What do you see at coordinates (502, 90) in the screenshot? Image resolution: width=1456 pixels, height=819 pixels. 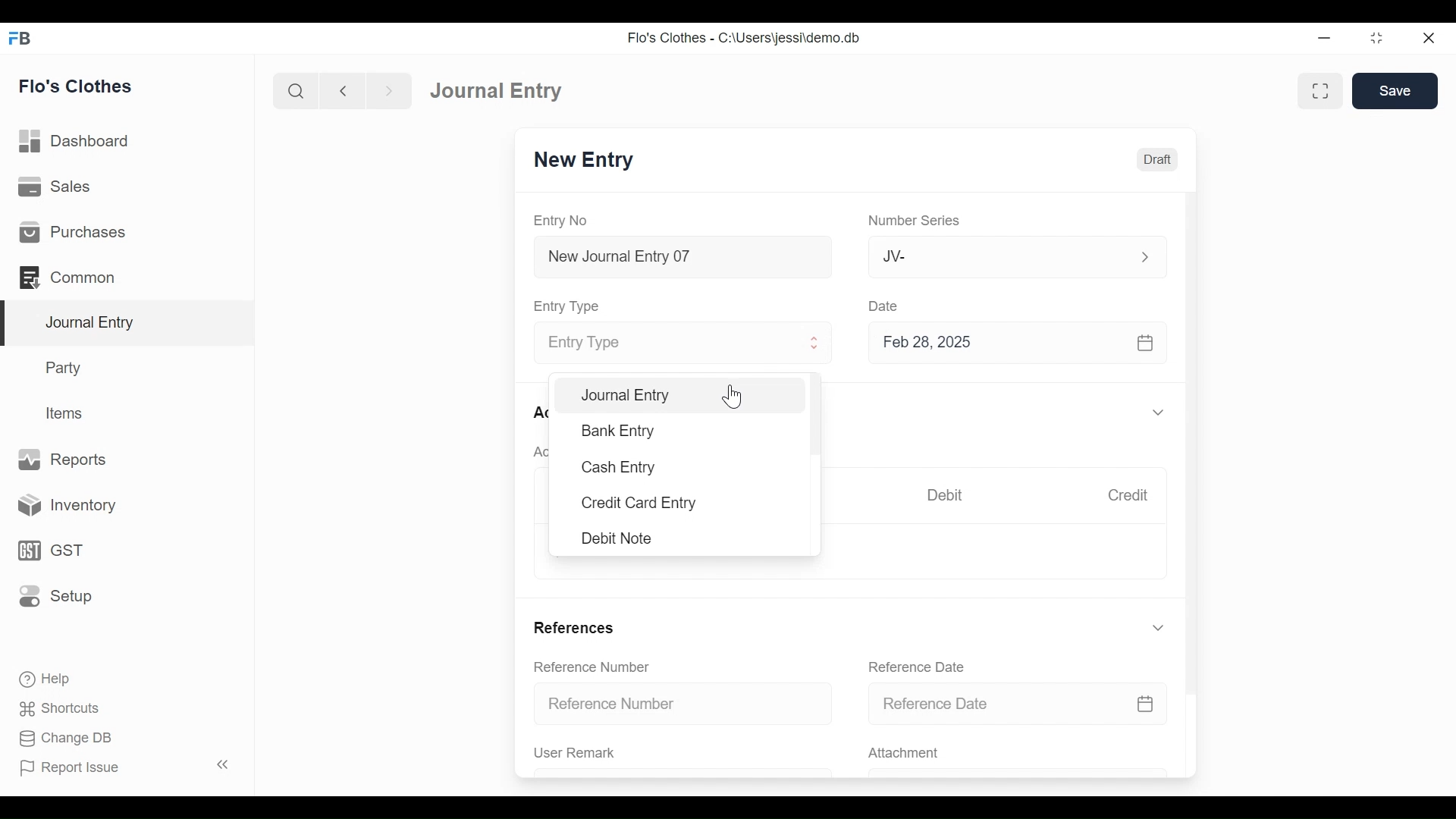 I see `Journal Entry` at bounding box center [502, 90].